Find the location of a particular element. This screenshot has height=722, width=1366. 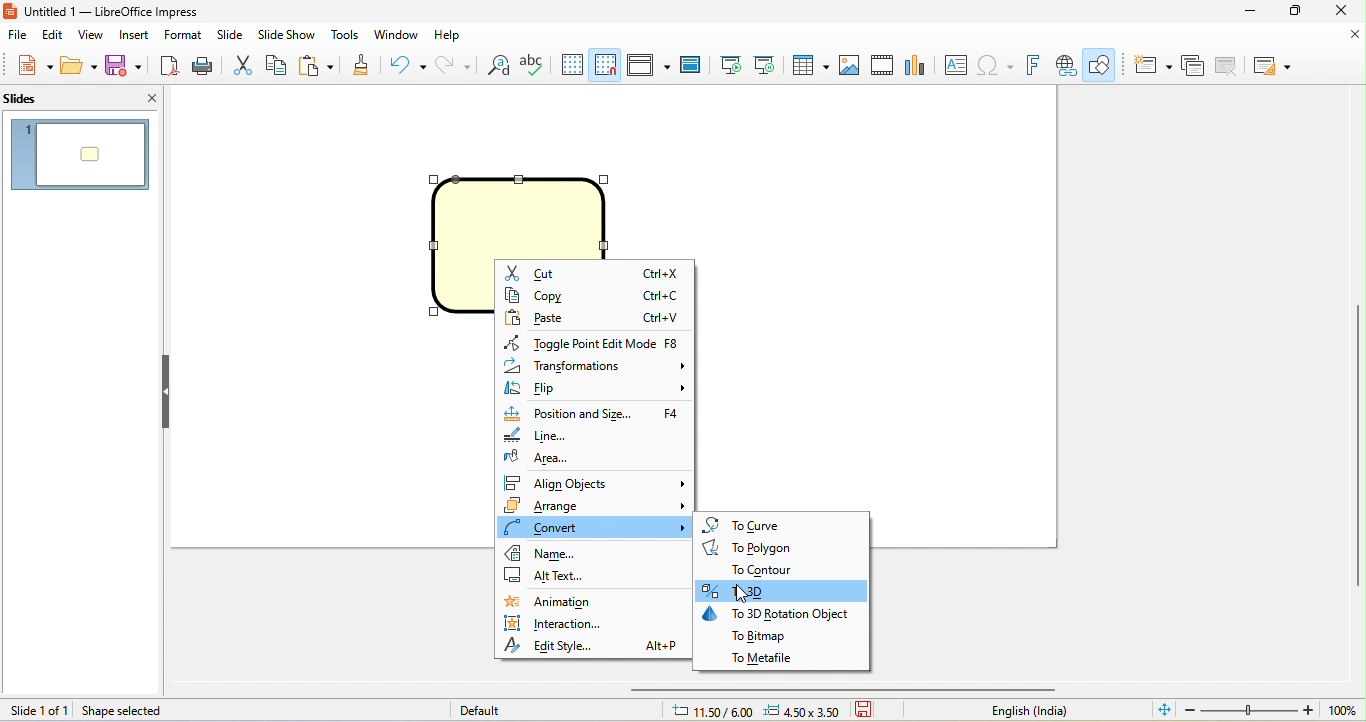

export directly as pdf is located at coordinates (170, 64).